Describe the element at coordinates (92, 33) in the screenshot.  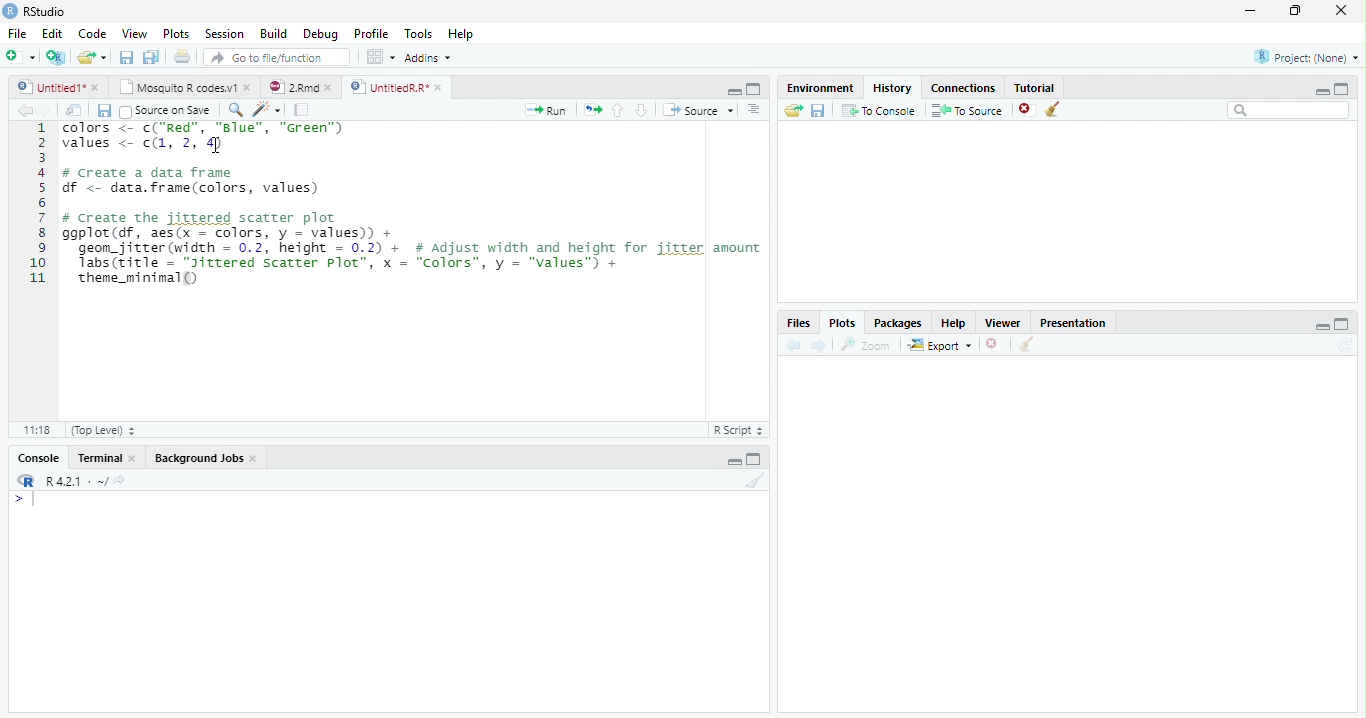
I see `Code` at that location.